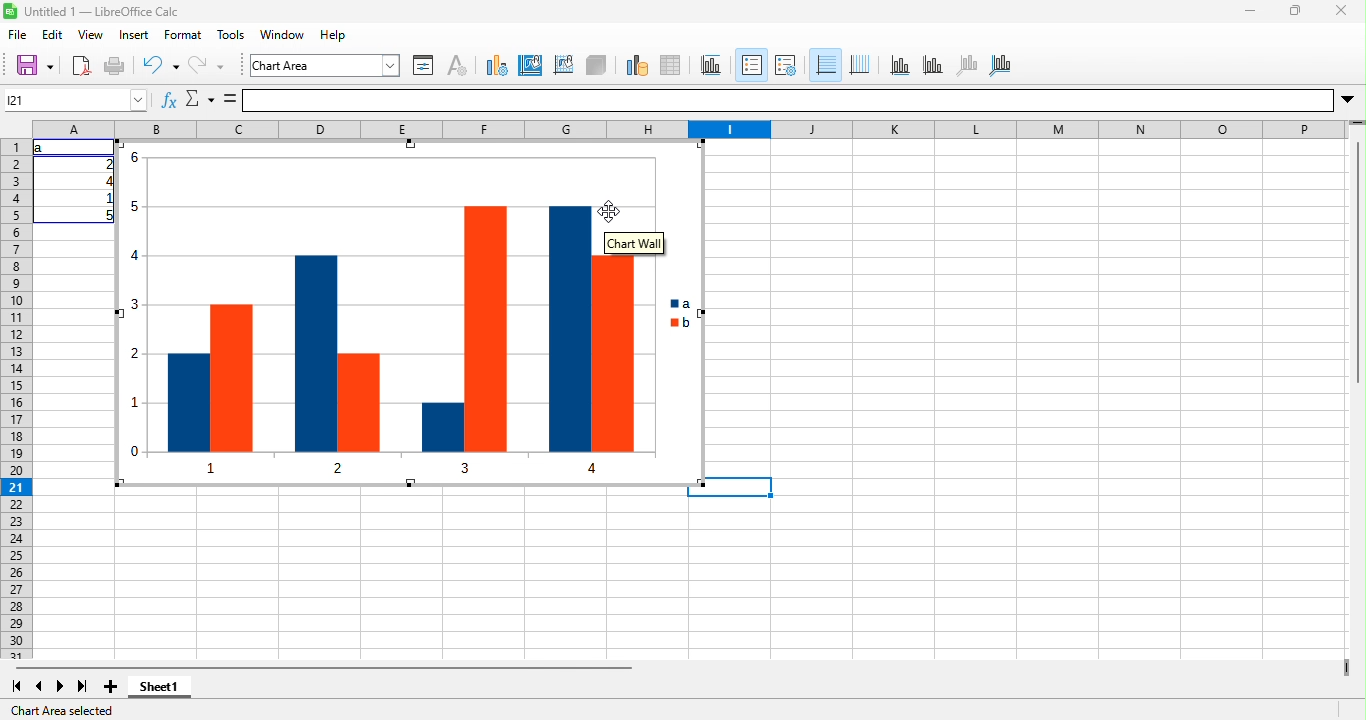 The width and height of the screenshot is (1366, 720). I want to click on More options, so click(1347, 100).